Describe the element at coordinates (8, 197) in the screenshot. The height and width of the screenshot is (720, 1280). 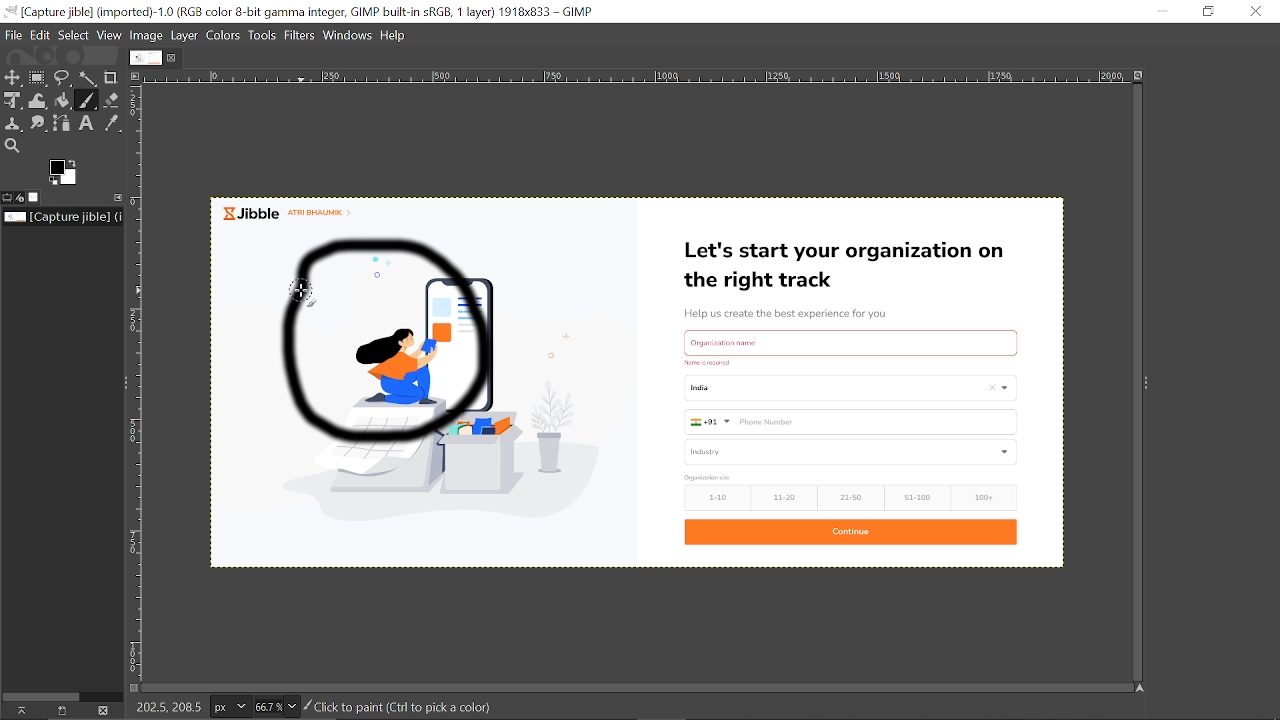
I see `Tool options` at that location.